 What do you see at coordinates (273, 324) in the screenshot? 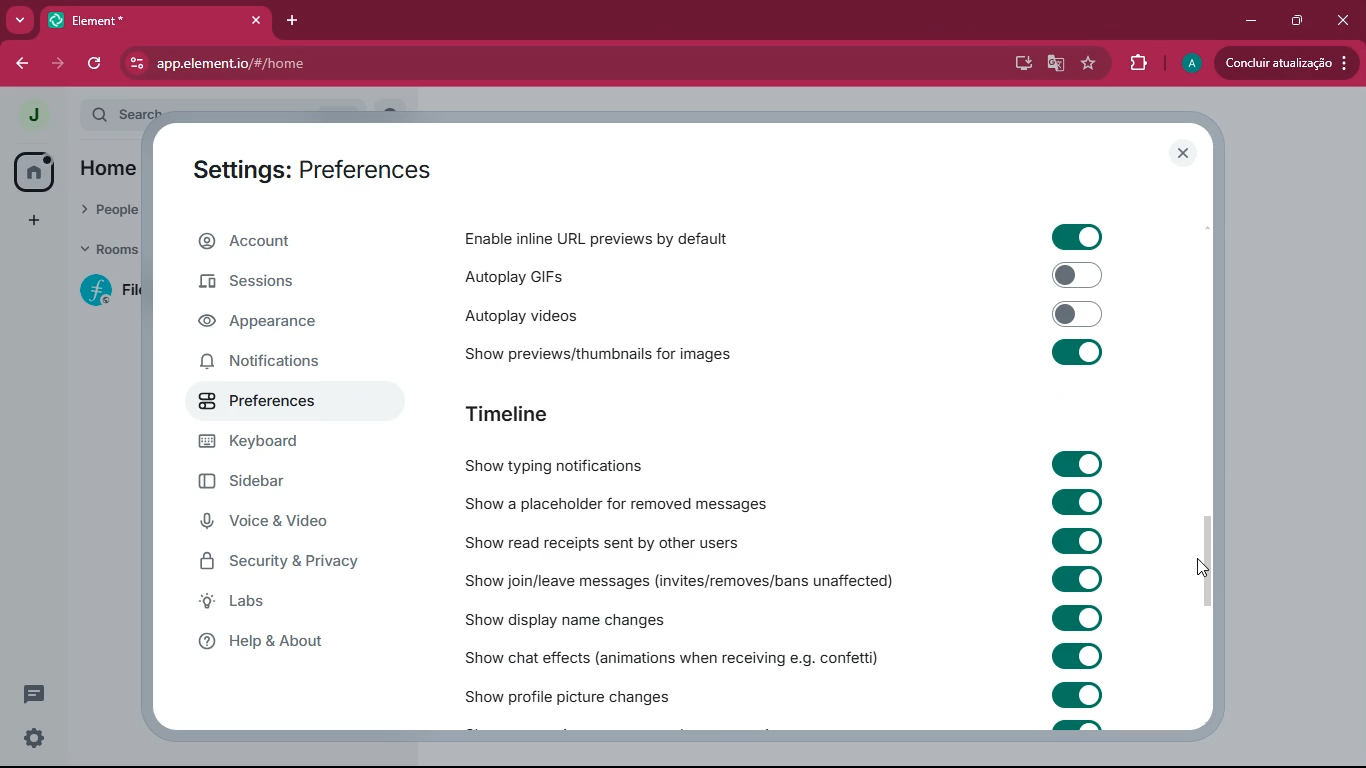
I see `appearance` at bounding box center [273, 324].